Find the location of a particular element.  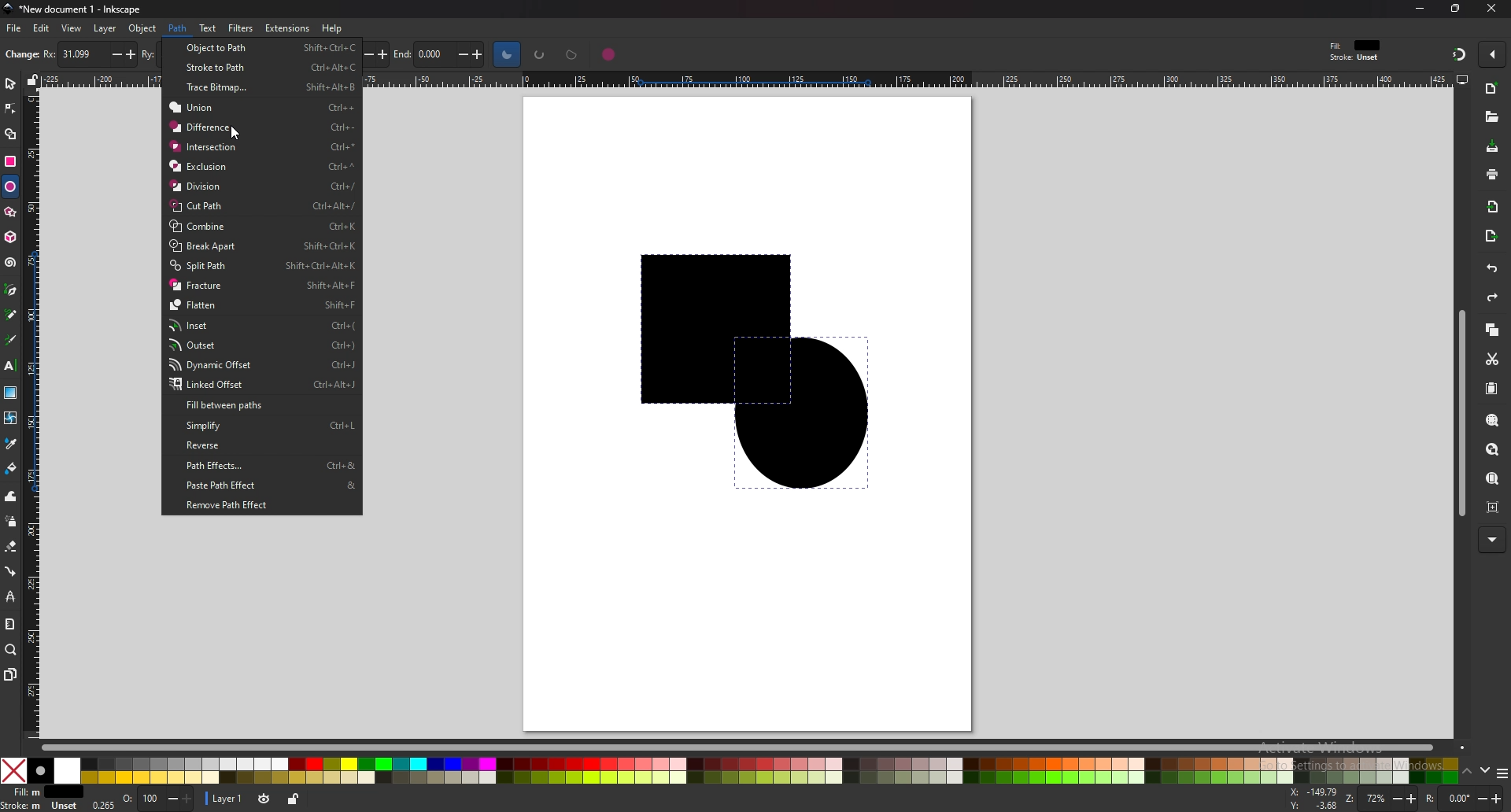

opacity is located at coordinates (159, 800).